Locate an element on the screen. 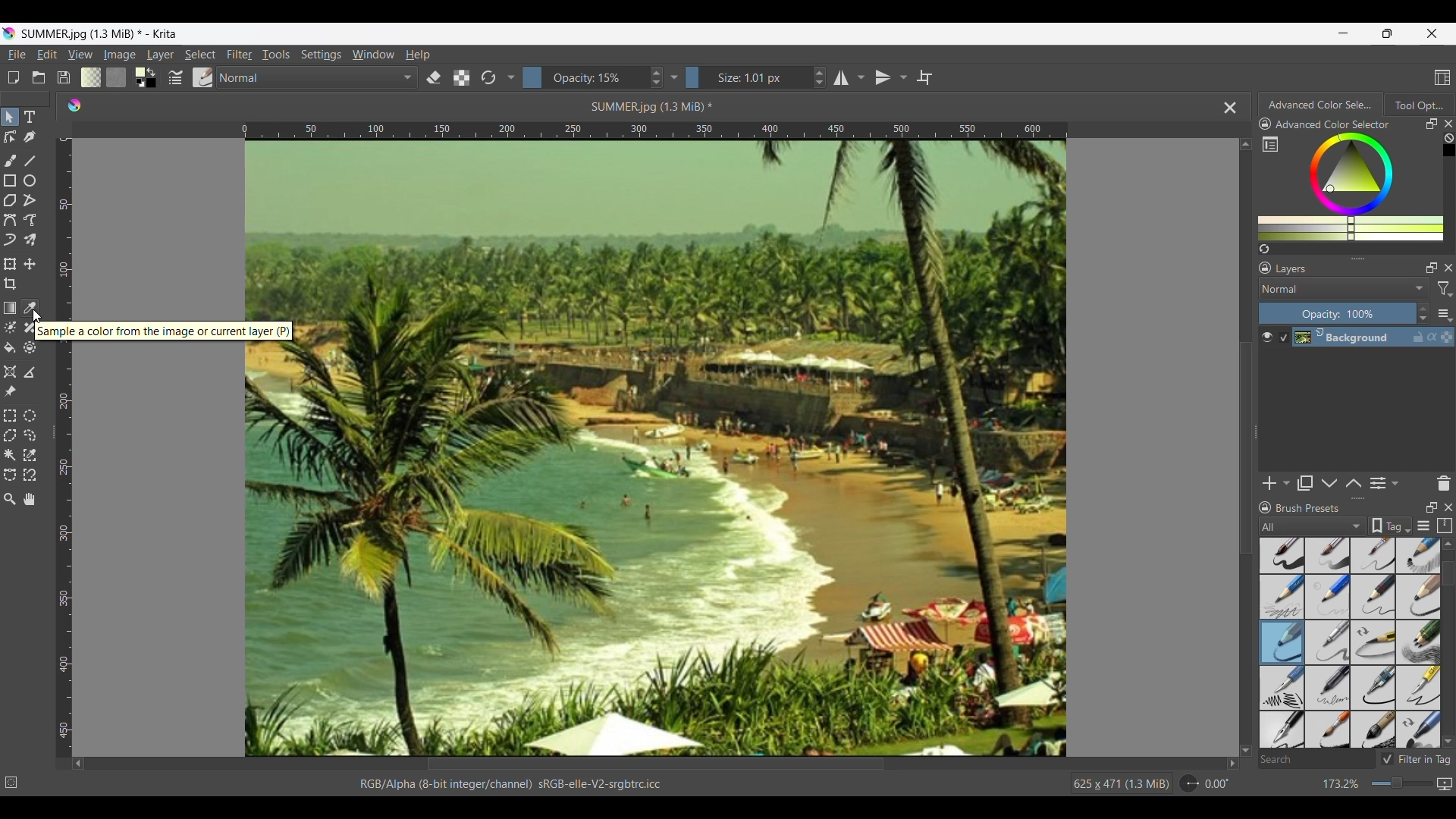 Image resolution: width=1456 pixels, height=819 pixels. Vertical slide bar is located at coordinates (1246, 448).